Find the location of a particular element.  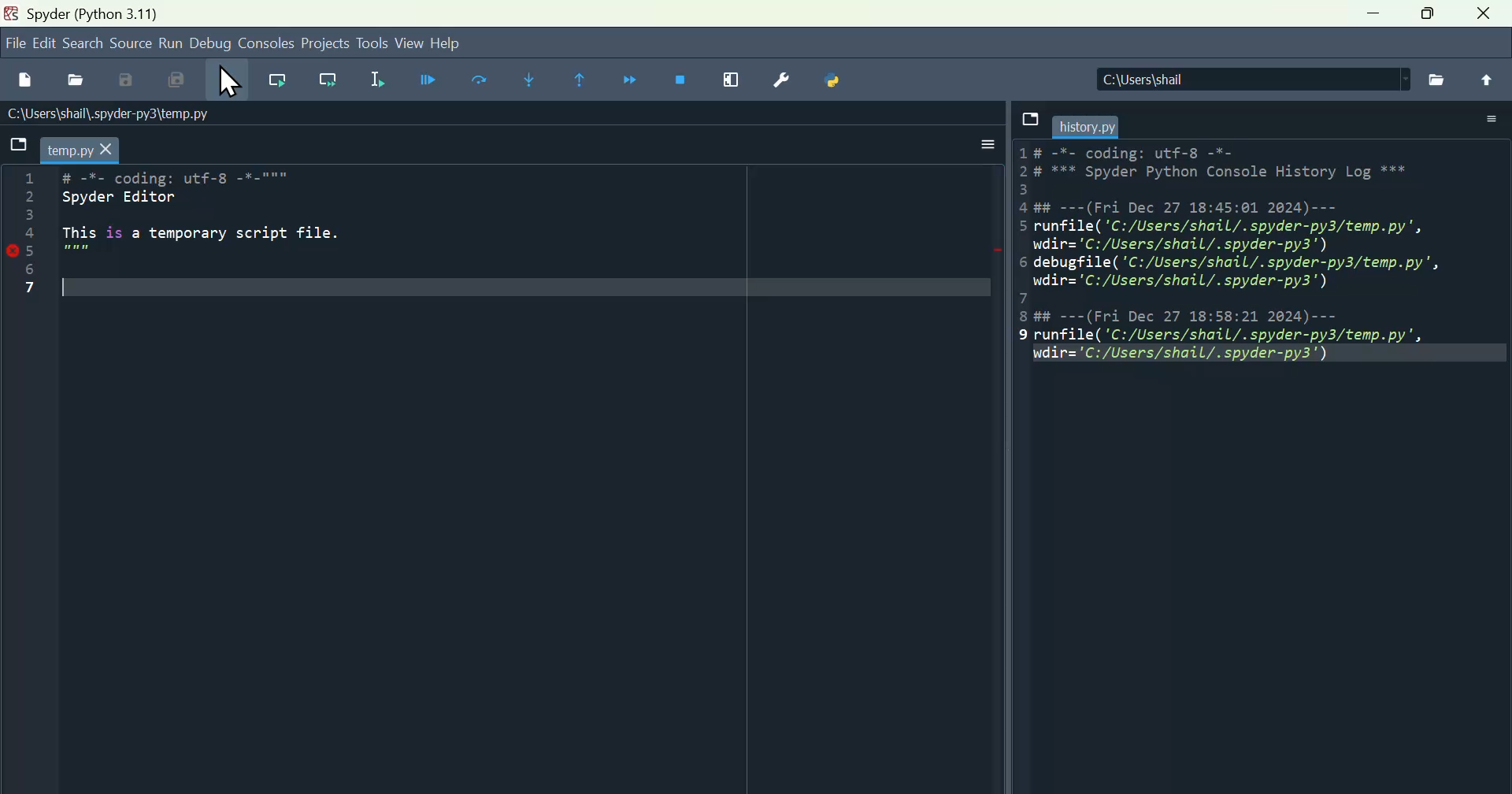

Spider (python 3.11) is located at coordinates (120, 11).